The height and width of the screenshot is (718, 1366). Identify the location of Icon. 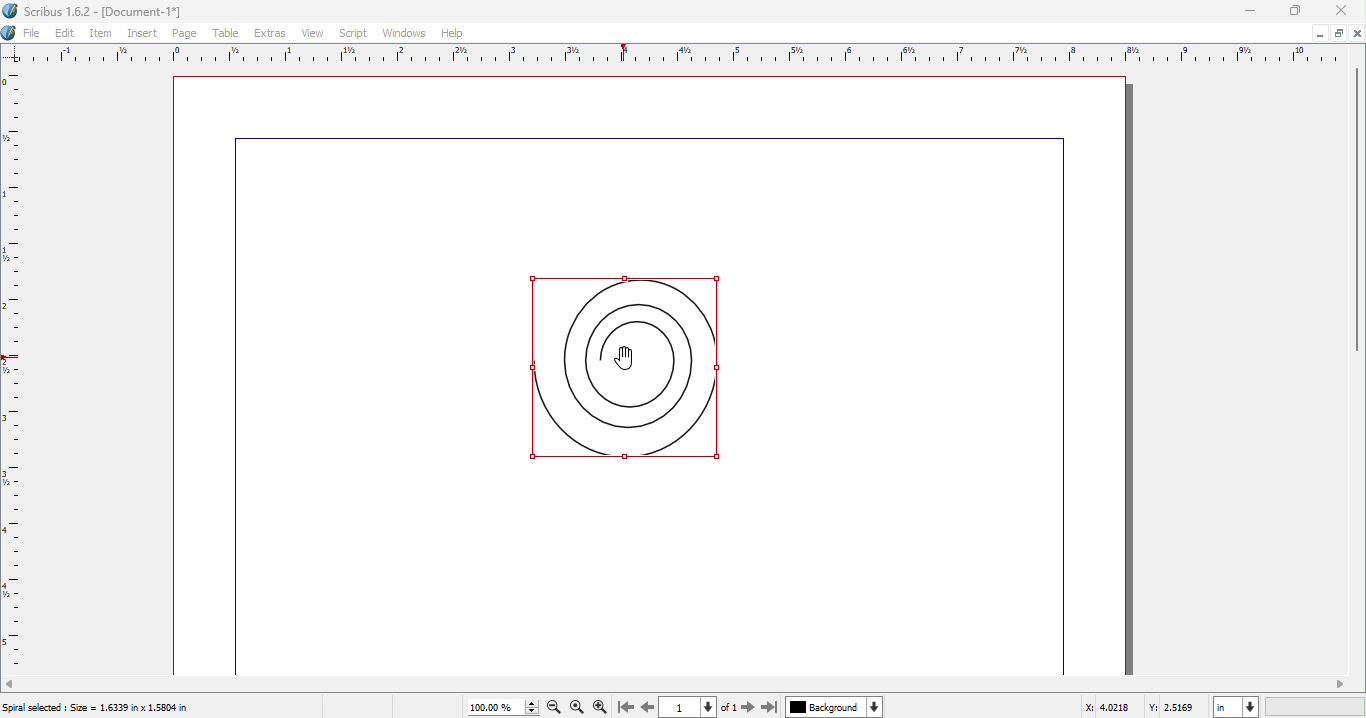
(10, 33).